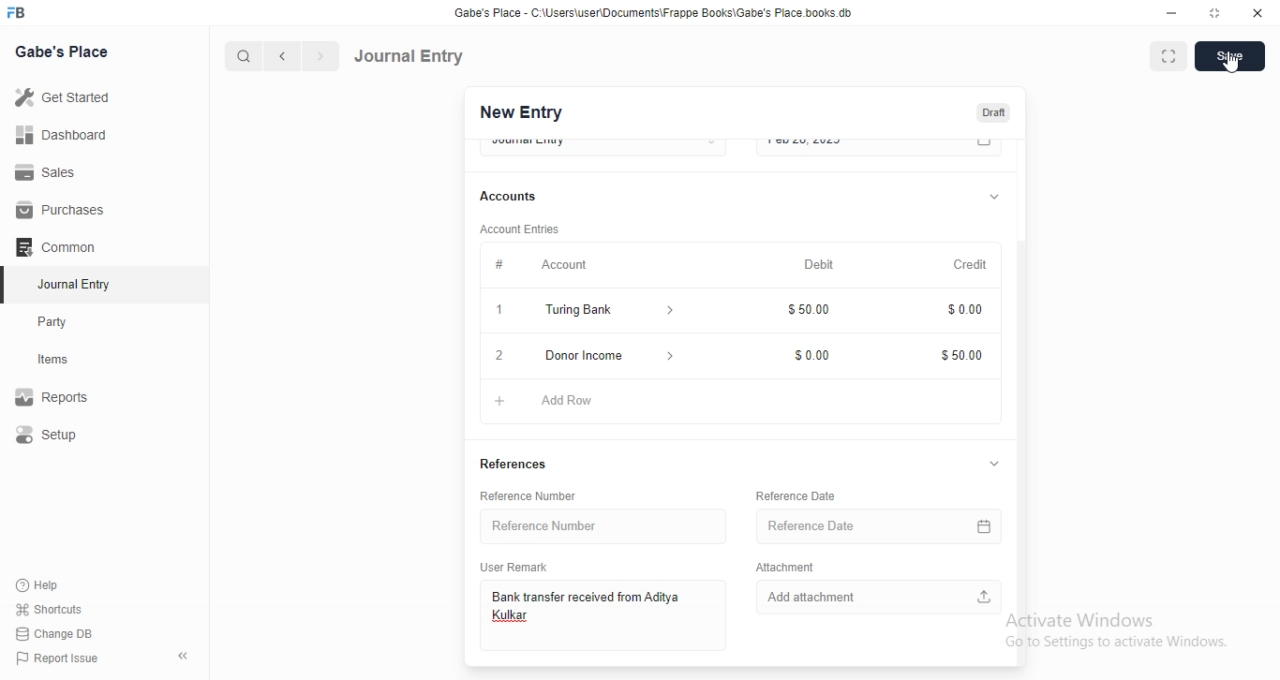 Image resolution: width=1280 pixels, height=680 pixels. Describe the element at coordinates (606, 354) in the screenshot. I see `donor income` at that location.